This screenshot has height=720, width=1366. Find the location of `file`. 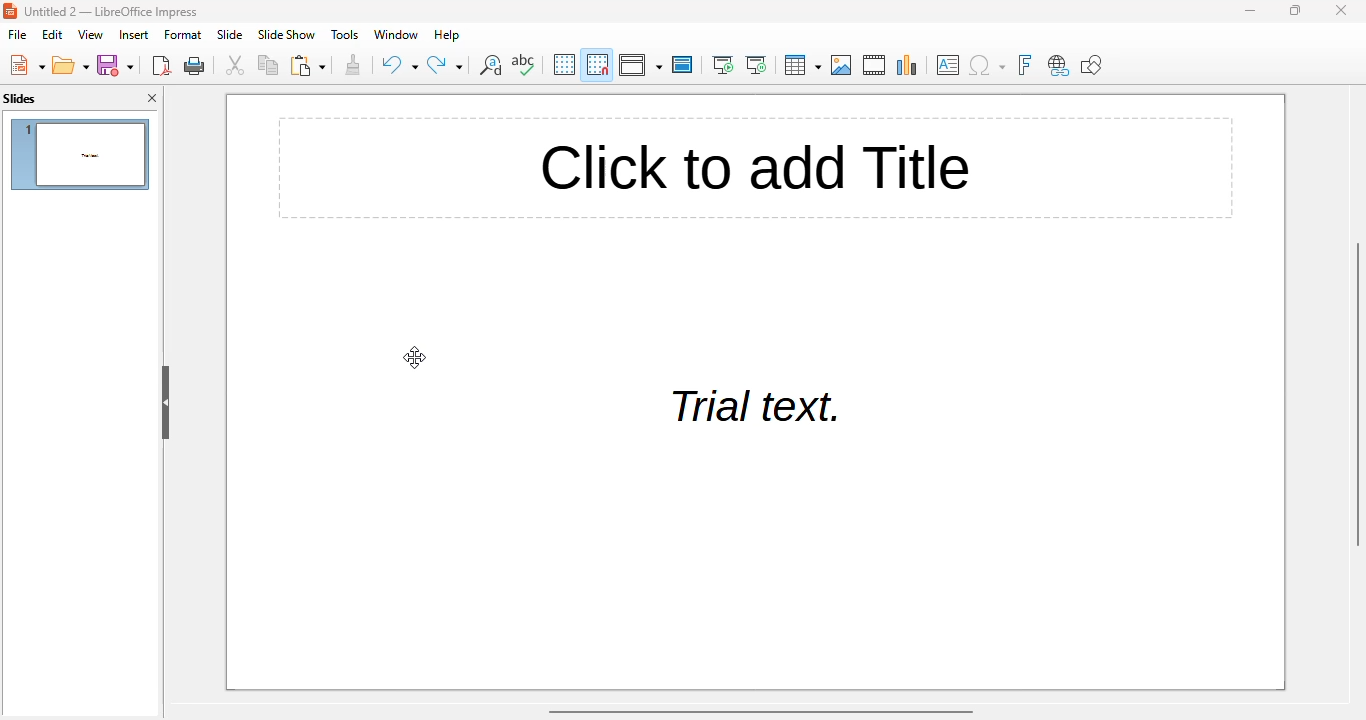

file is located at coordinates (17, 34).